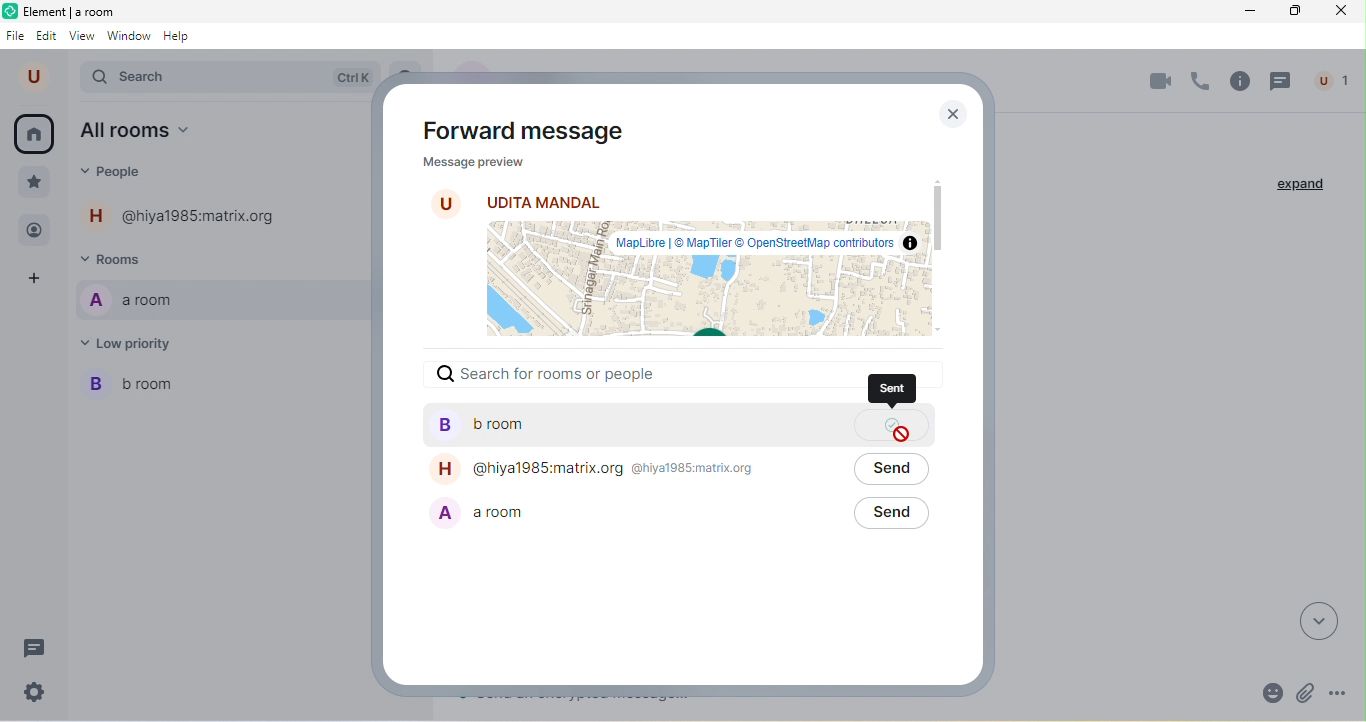 The image size is (1366, 722). Describe the element at coordinates (890, 514) in the screenshot. I see `send` at that location.